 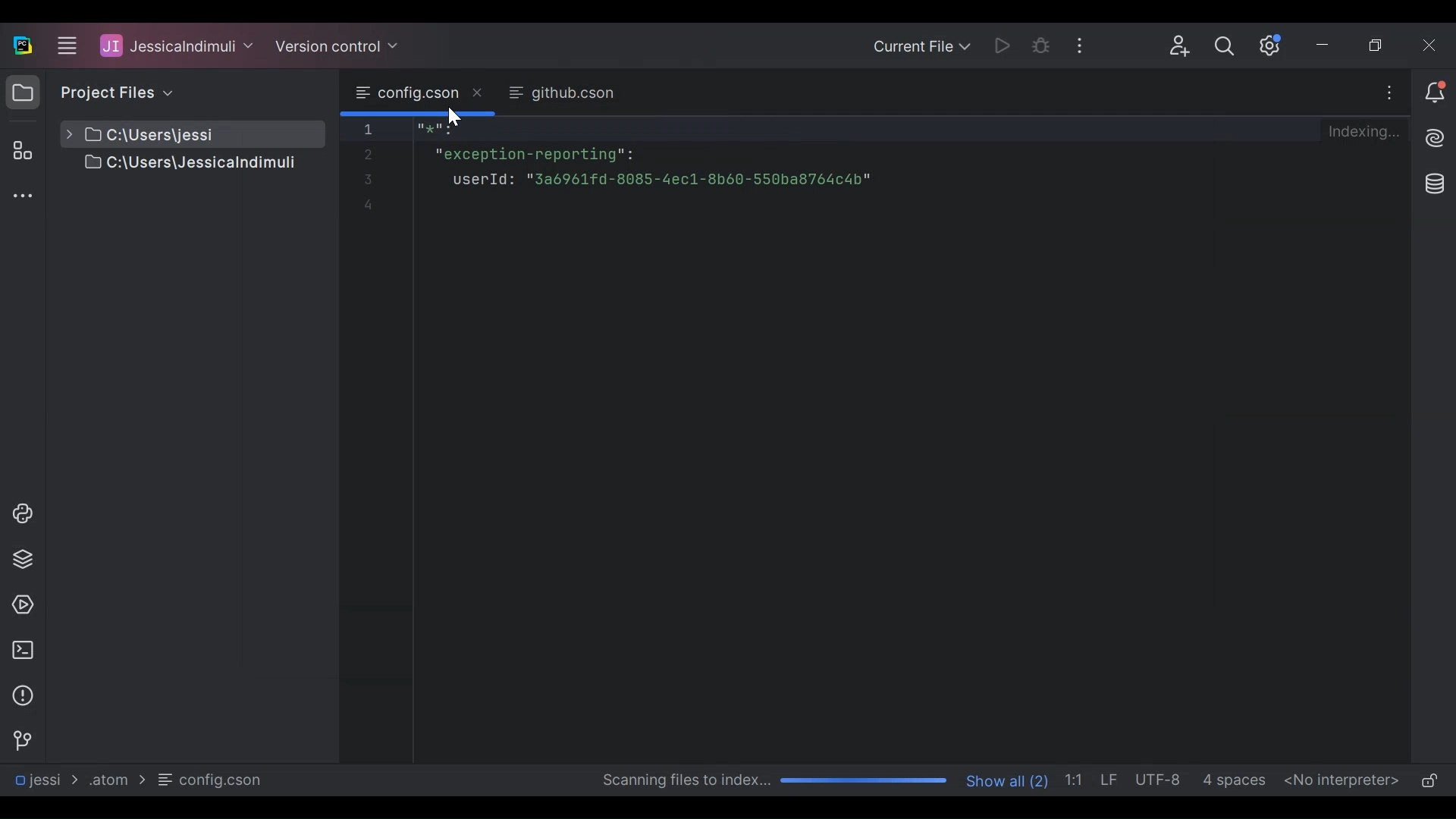 What do you see at coordinates (1329, 45) in the screenshot?
I see `Minimize` at bounding box center [1329, 45].